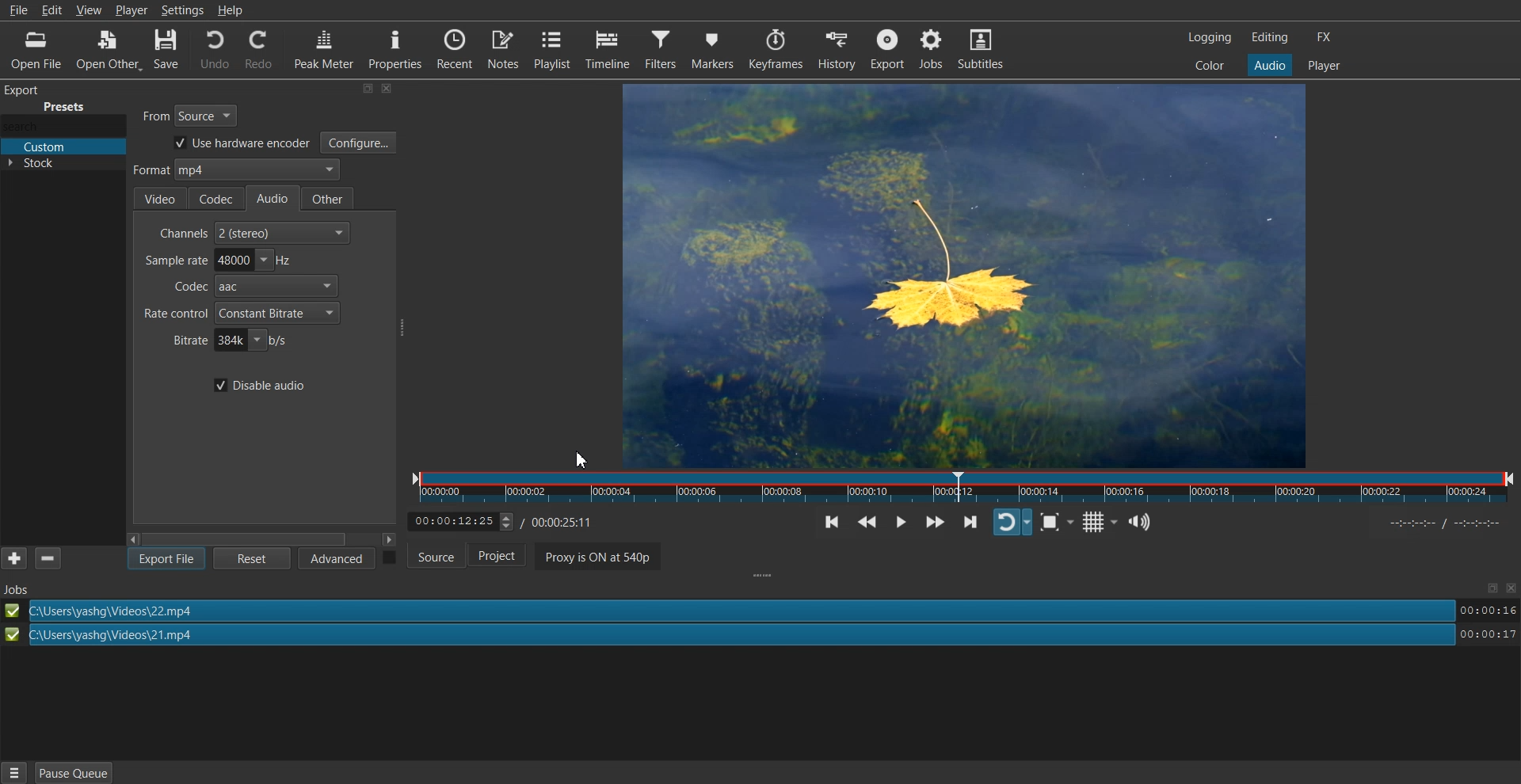  Describe the element at coordinates (583, 459) in the screenshot. I see `Cursor` at that location.